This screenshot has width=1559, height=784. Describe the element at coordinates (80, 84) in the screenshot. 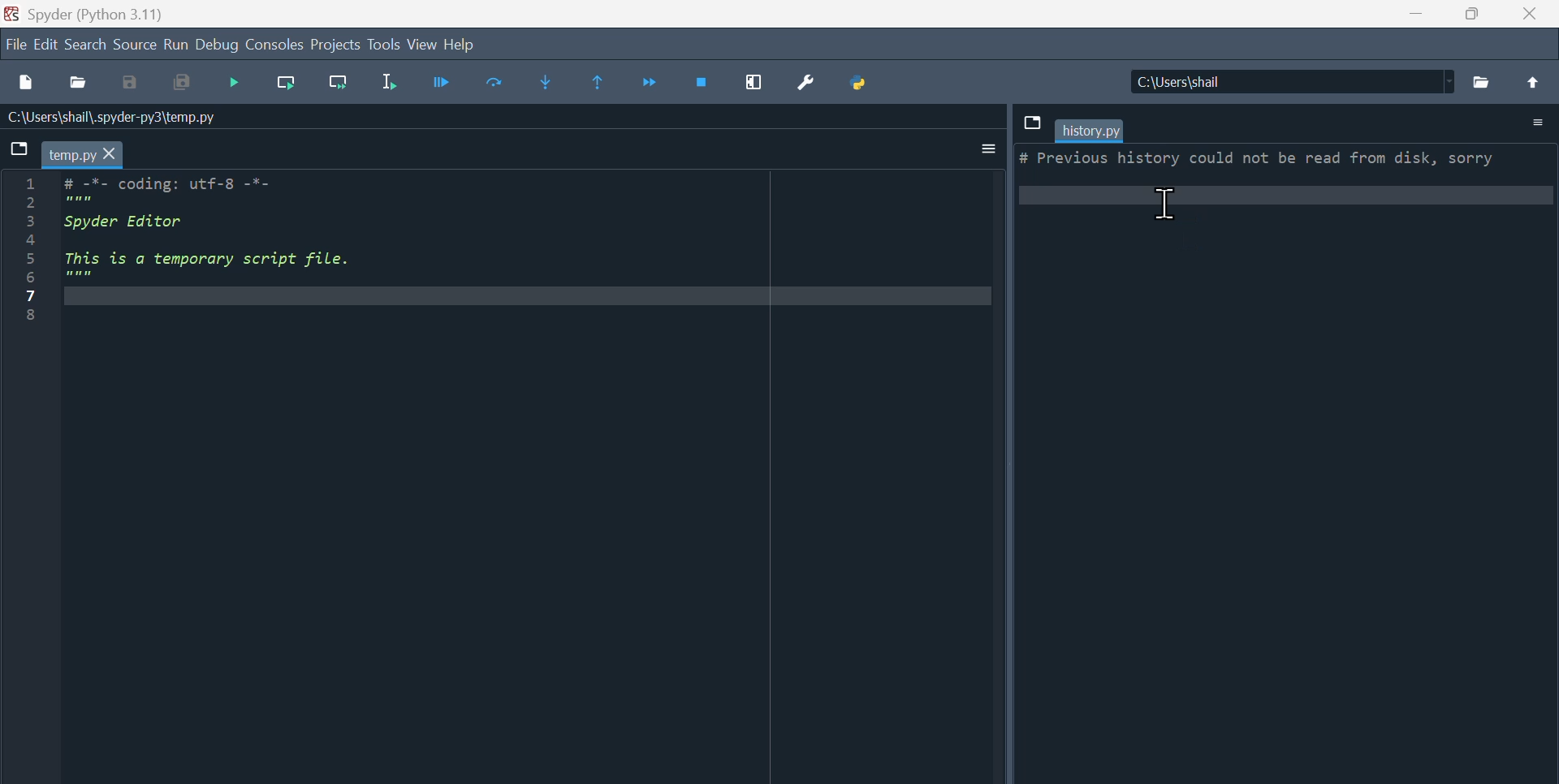

I see `Open file` at that location.